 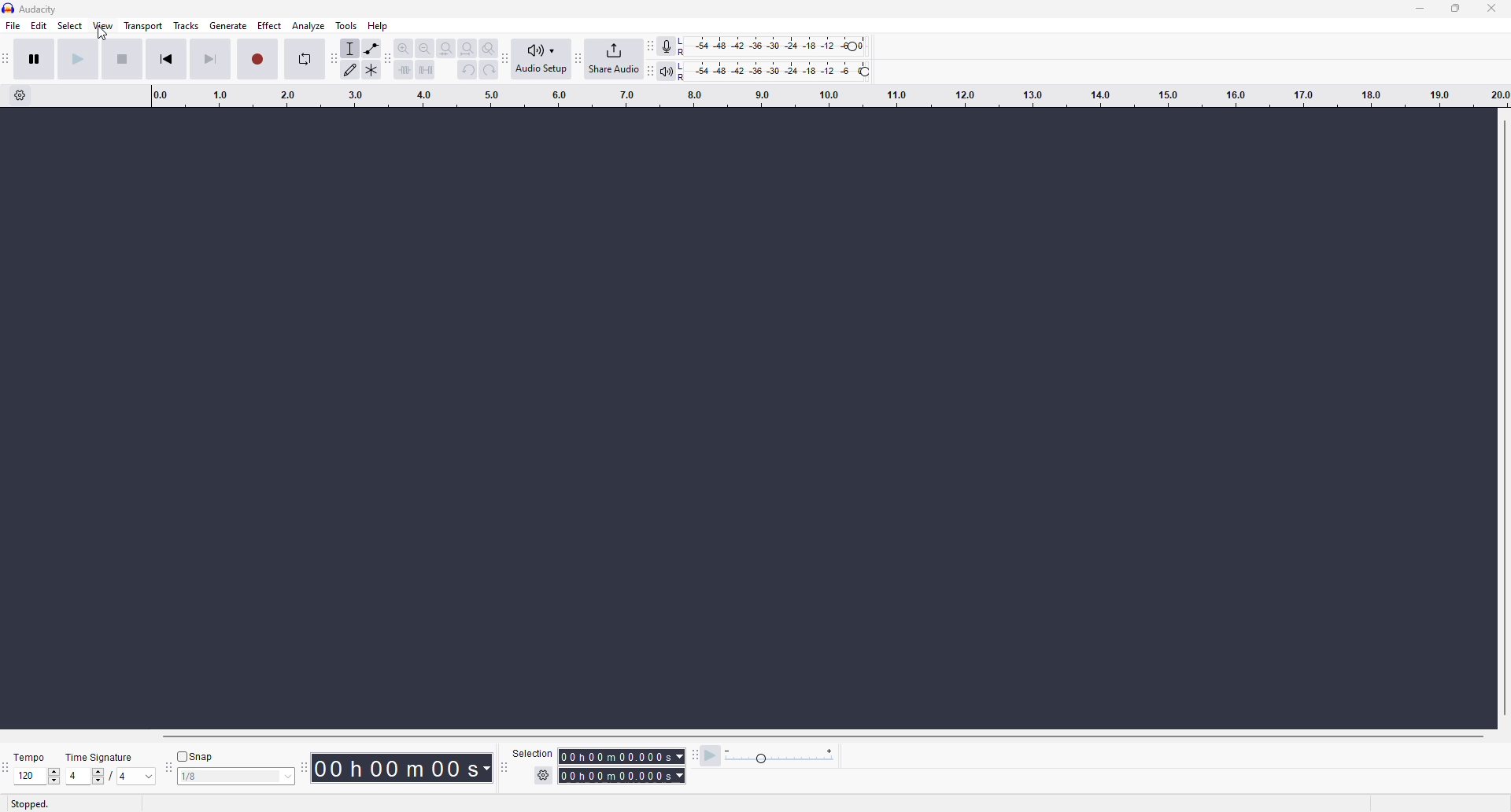 What do you see at coordinates (187, 27) in the screenshot?
I see `tracks` at bounding box center [187, 27].